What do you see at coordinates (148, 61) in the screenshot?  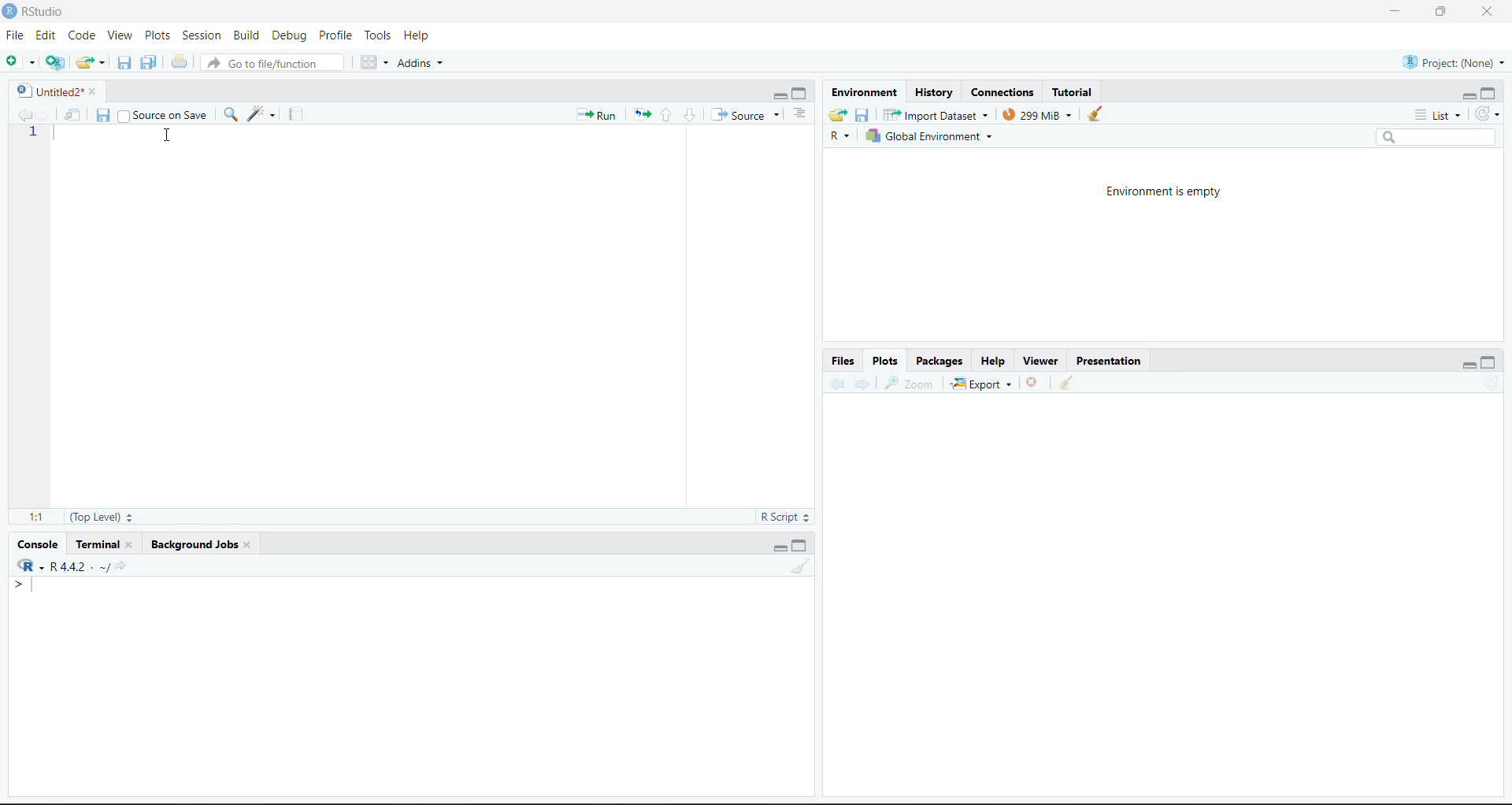 I see `save all open documents` at bounding box center [148, 61].